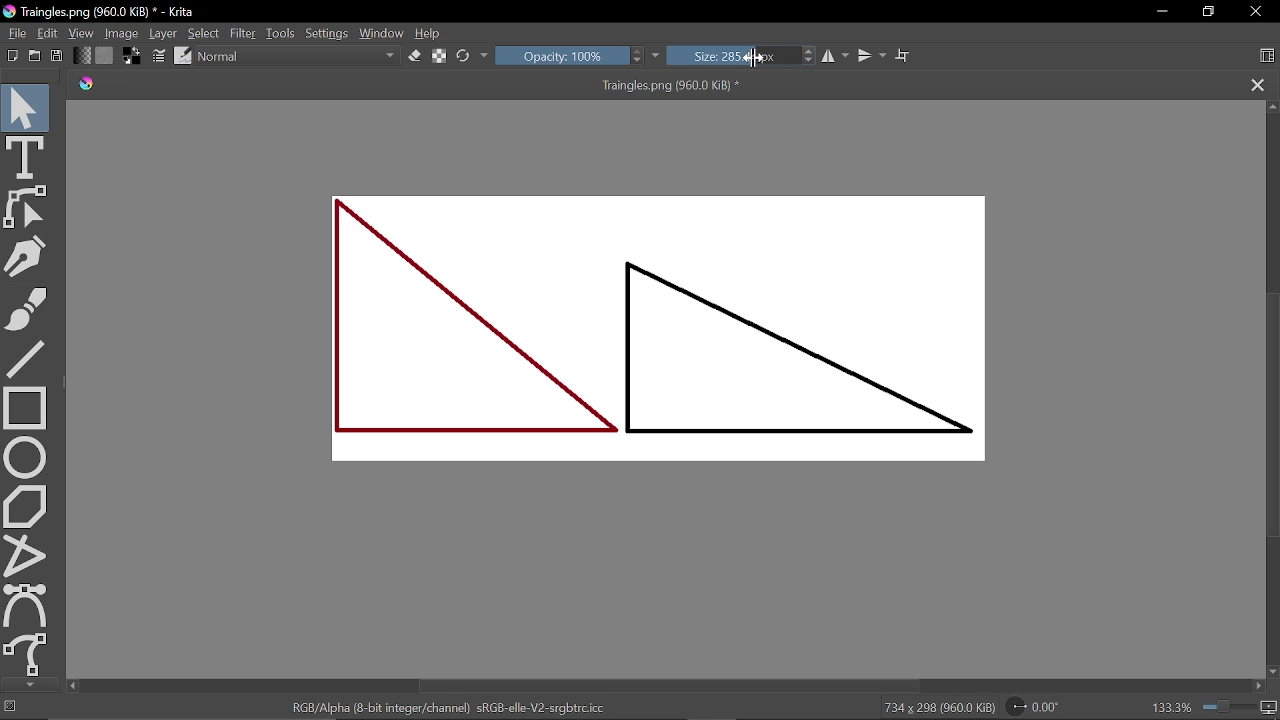 The height and width of the screenshot is (720, 1280). What do you see at coordinates (157, 57) in the screenshot?
I see `Edit brush settings` at bounding box center [157, 57].